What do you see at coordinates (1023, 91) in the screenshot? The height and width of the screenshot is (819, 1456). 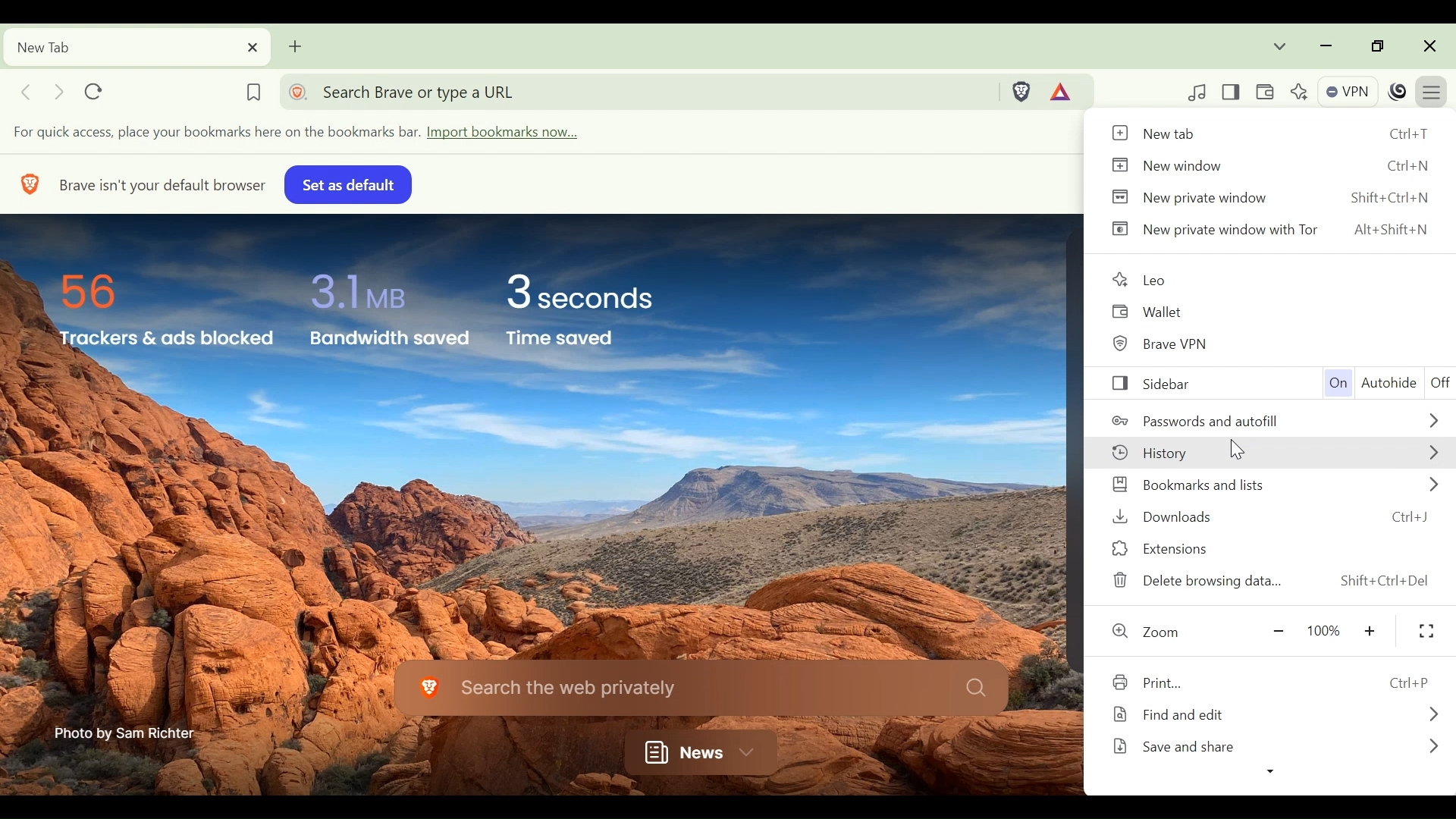 I see `Brave Shield` at bounding box center [1023, 91].